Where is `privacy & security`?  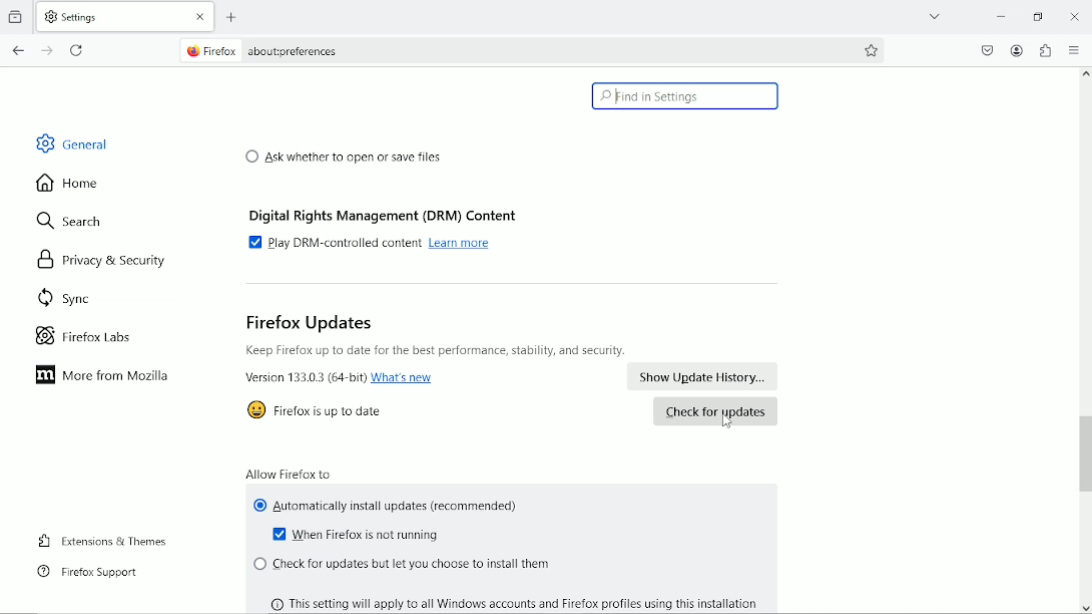
privacy & security is located at coordinates (97, 261).